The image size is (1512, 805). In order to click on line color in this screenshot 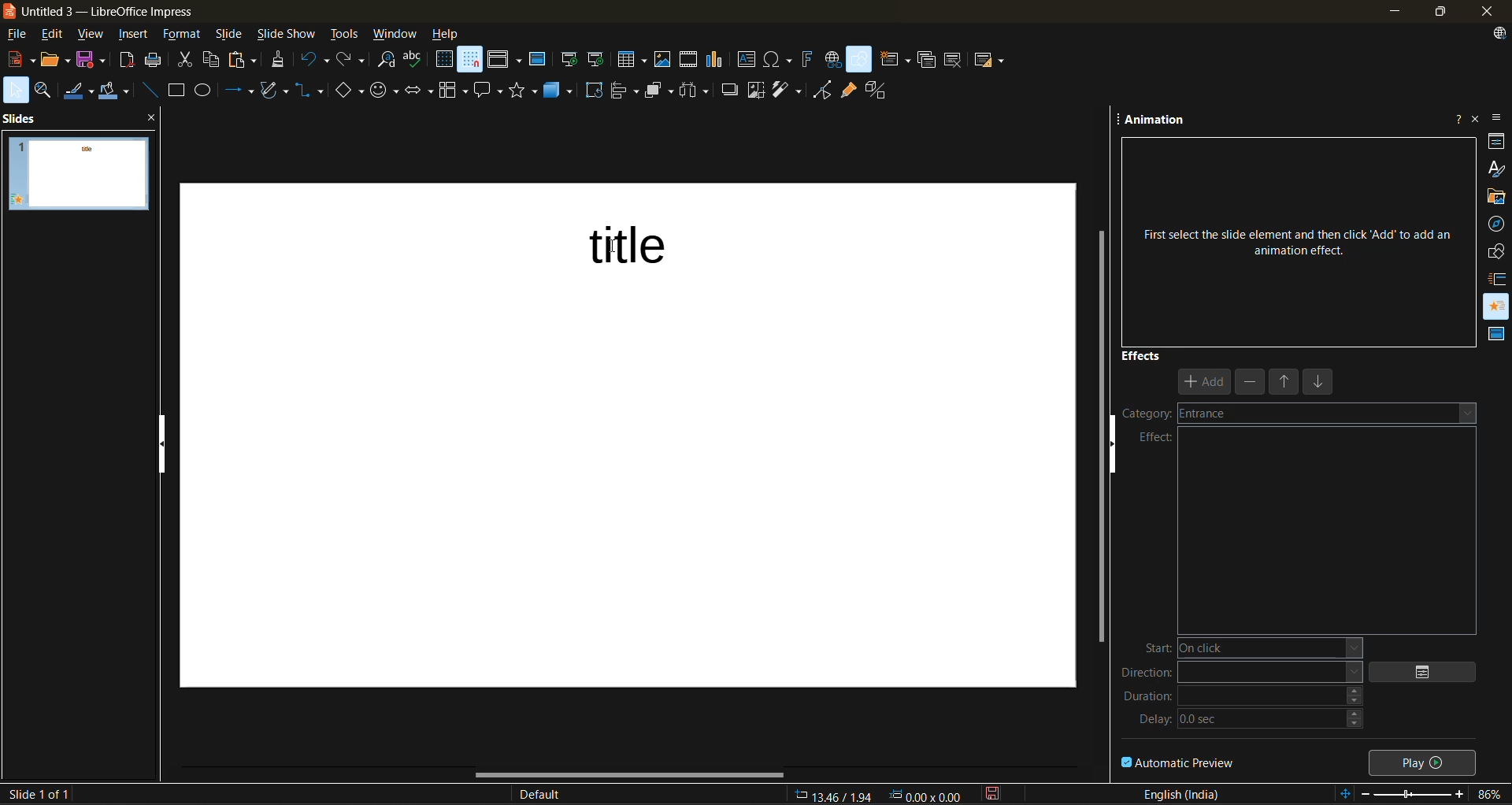, I will do `click(79, 91)`.